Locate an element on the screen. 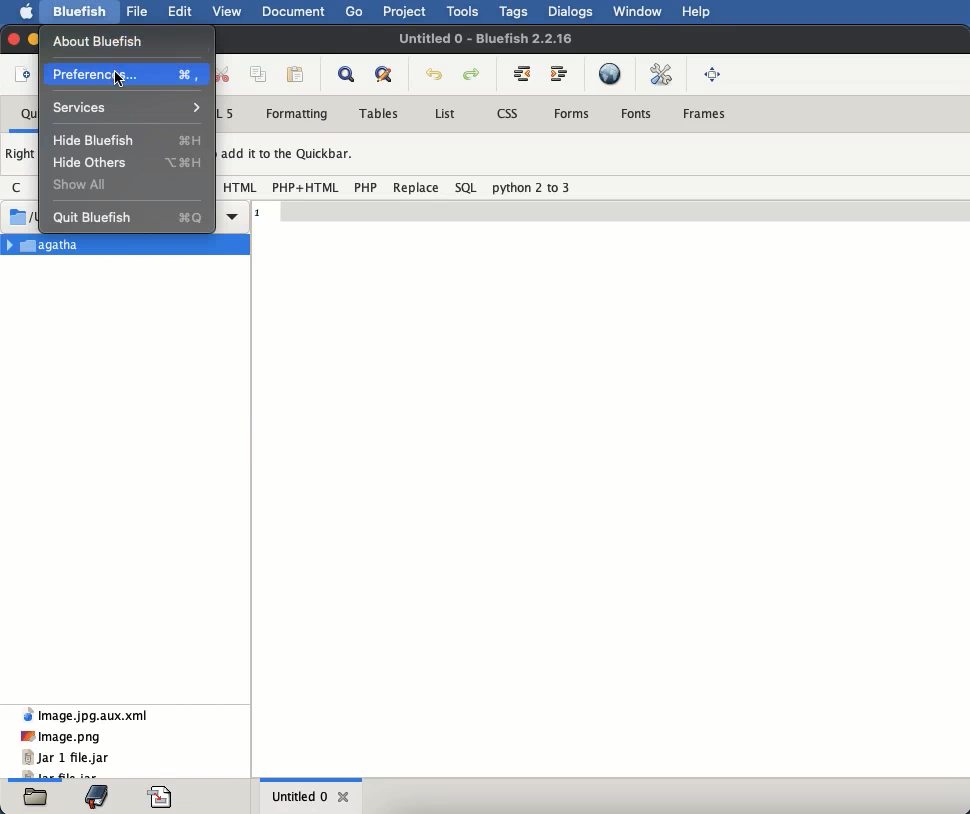 Image resolution: width=970 pixels, height=814 pixels. project is located at coordinates (407, 12).